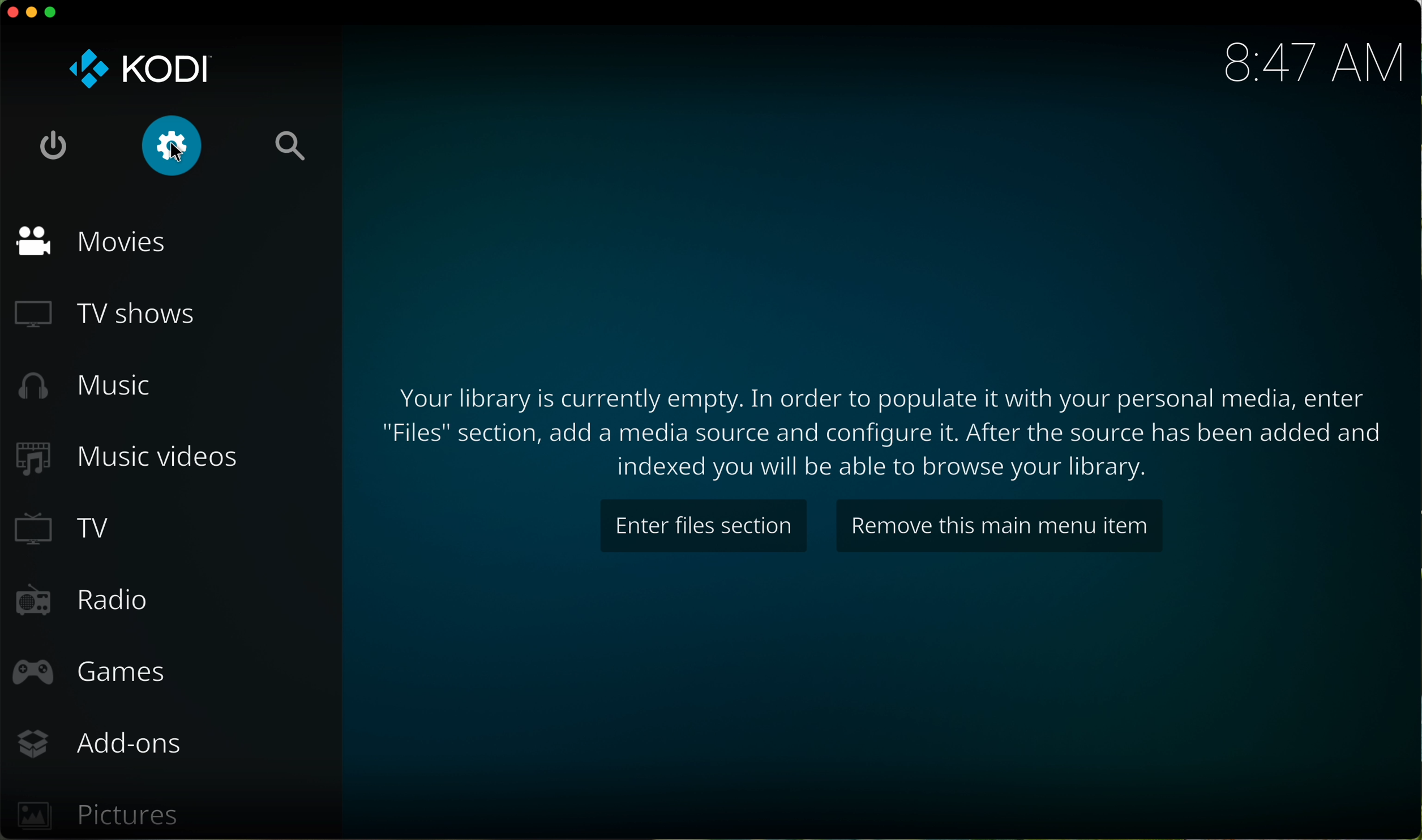 The width and height of the screenshot is (1422, 840). What do you see at coordinates (61, 530) in the screenshot?
I see `TV` at bounding box center [61, 530].